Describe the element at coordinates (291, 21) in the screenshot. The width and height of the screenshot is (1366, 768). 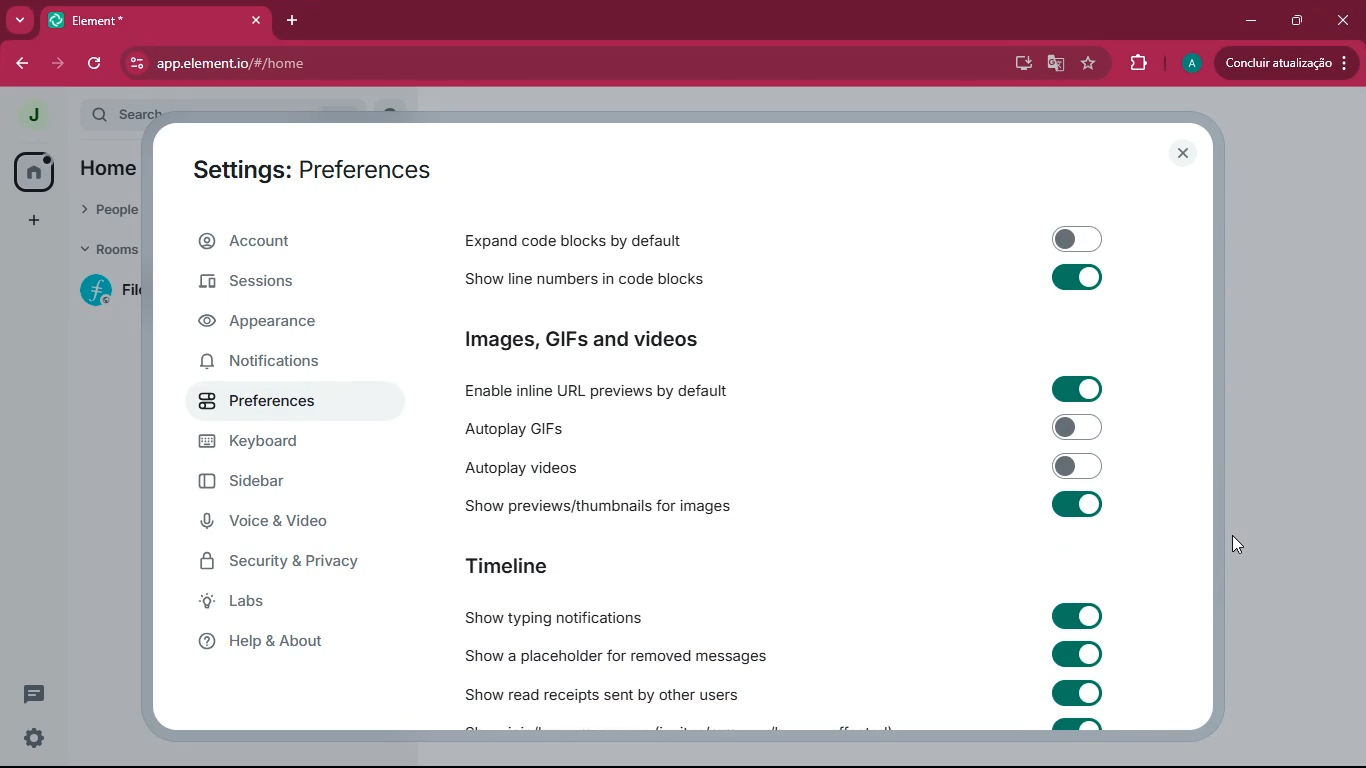
I see `add tab` at that location.